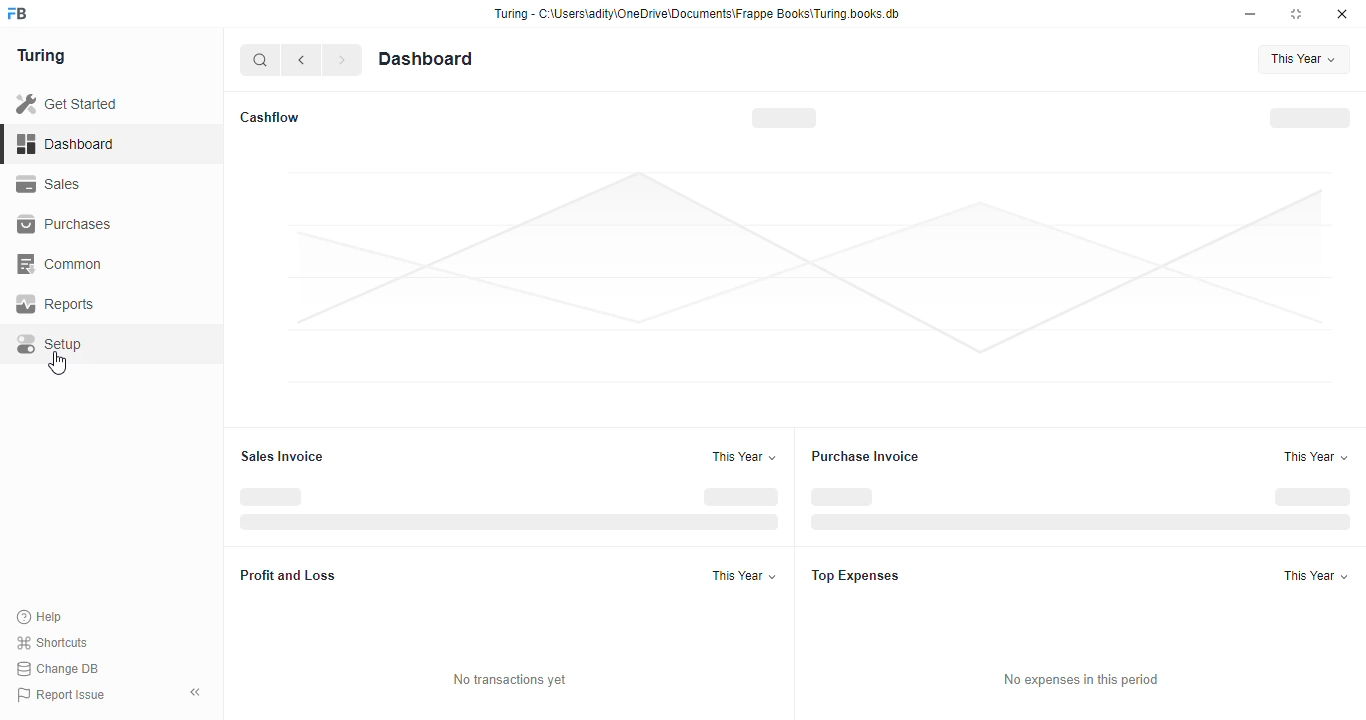 Image resolution: width=1366 pixels, height=720 pixels. I want to click on Sales, so click(98, 182).